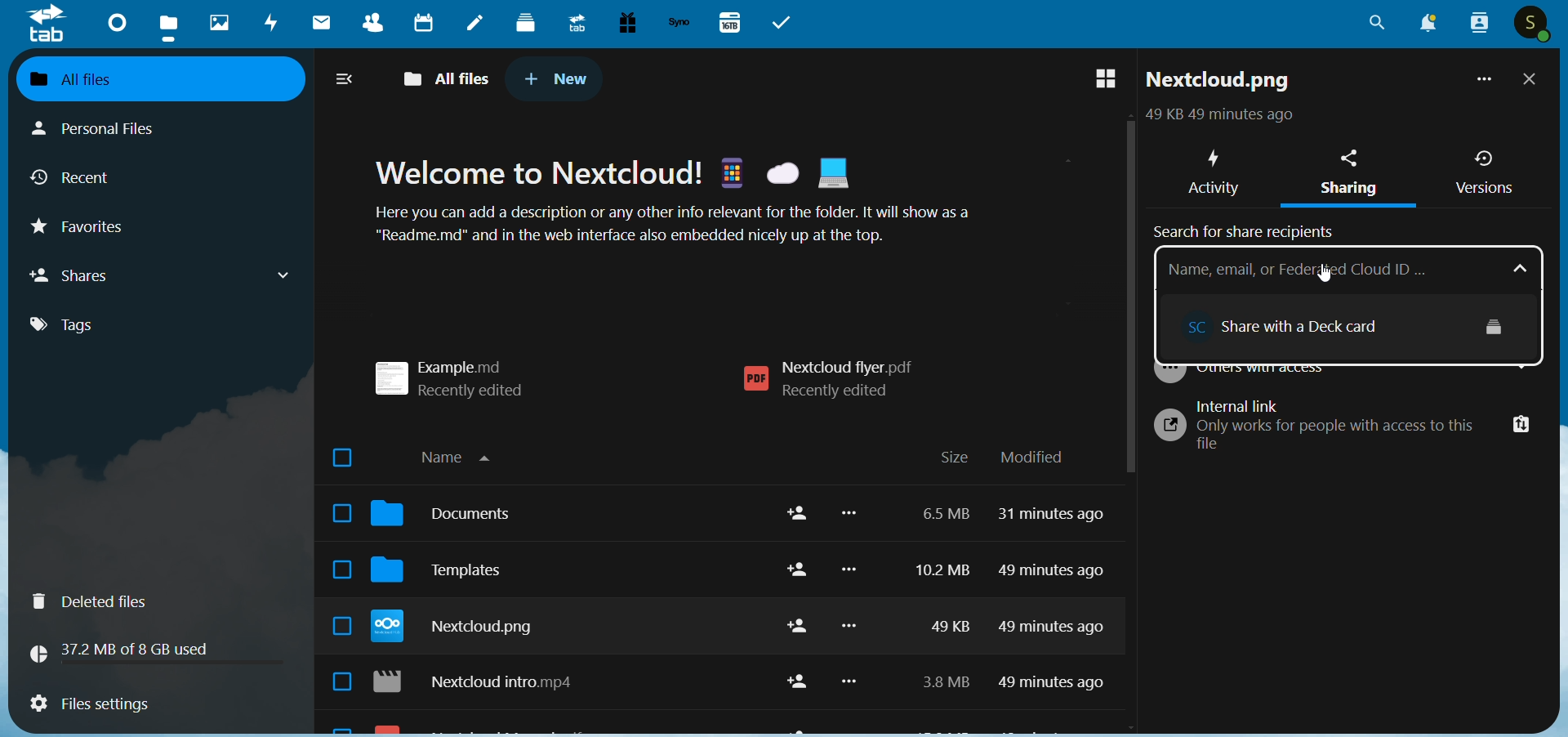 The height and width of the screenshot is (737, 1568). I want to click on search, so click(1377, 28).